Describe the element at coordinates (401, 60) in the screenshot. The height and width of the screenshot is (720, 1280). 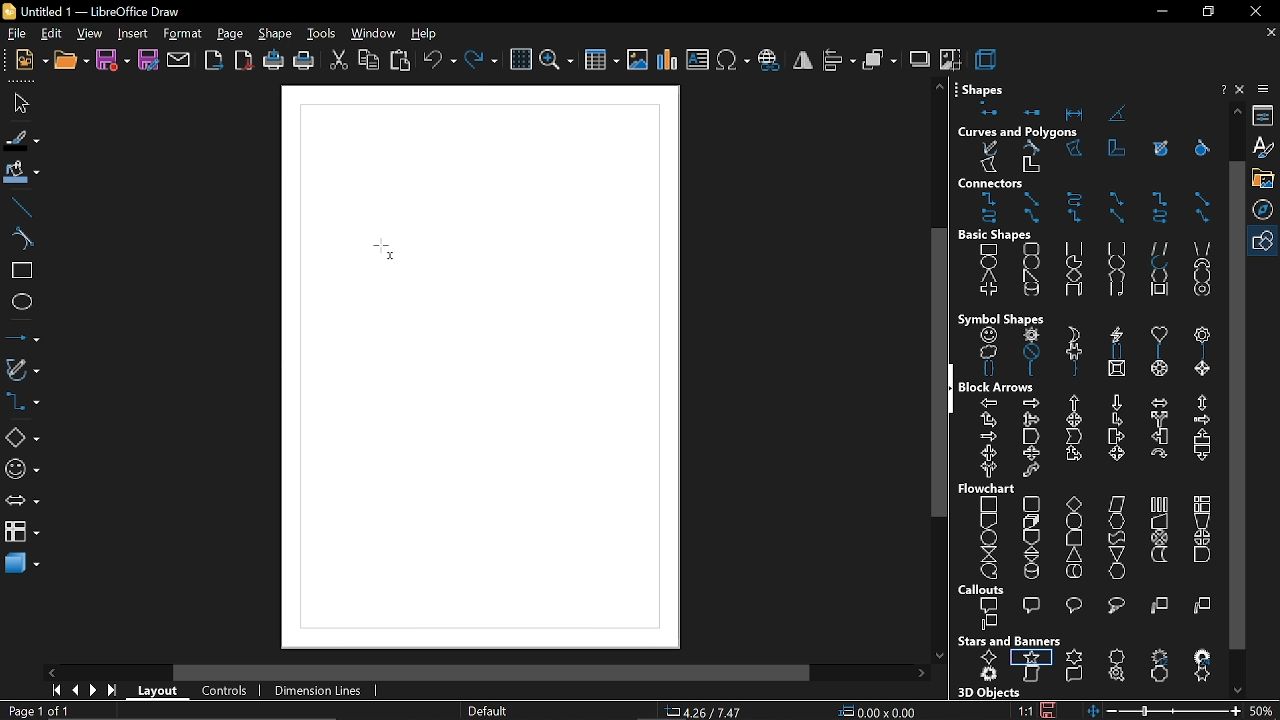
I see `paste` at that location.